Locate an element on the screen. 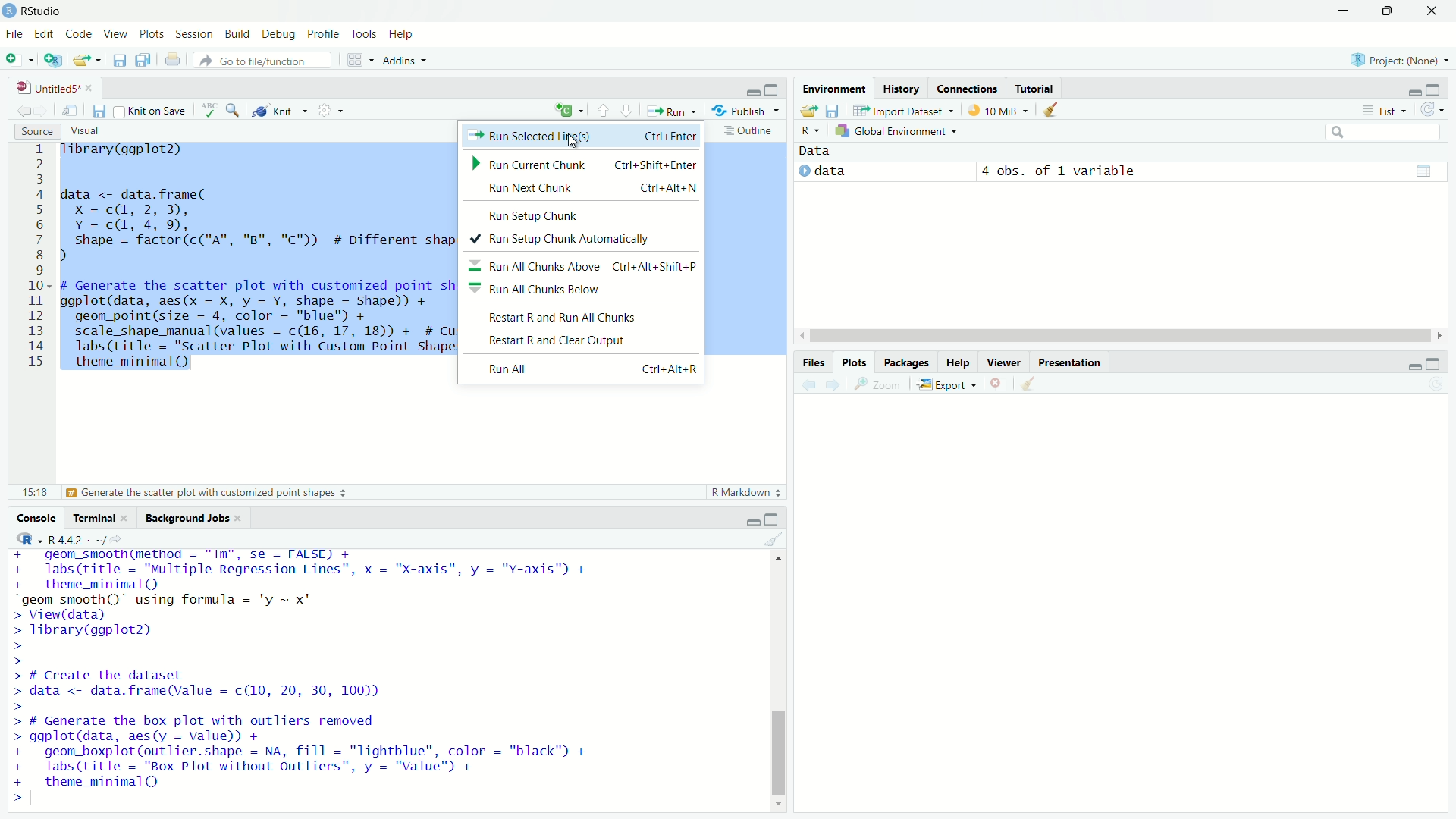 The image size is (1456, 819). Build is located at coordinates (237, 33).